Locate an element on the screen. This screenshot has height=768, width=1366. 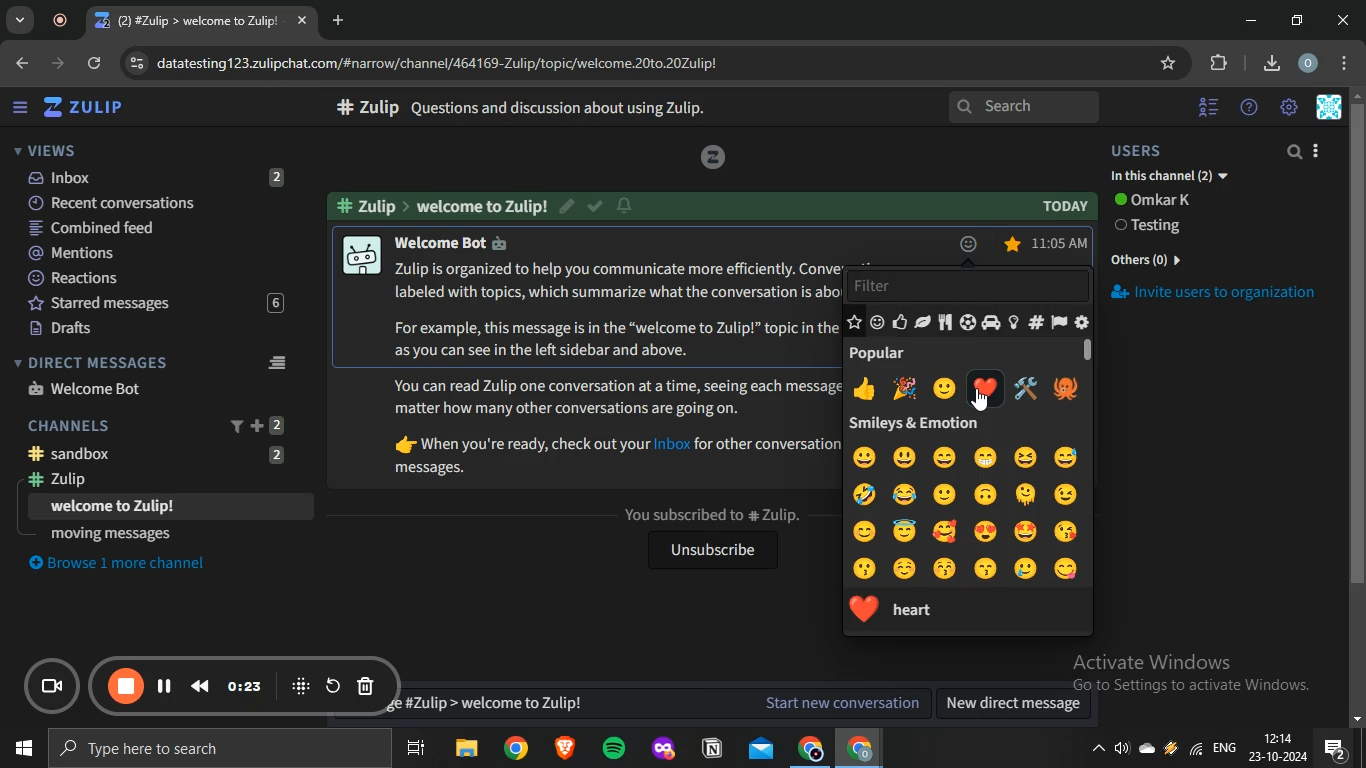
datatesting123.zulipchat.com/#narrow/channel/464169-Zulip/topic/welcome.20to.20Zulip! is located at coordinates (429, 61).